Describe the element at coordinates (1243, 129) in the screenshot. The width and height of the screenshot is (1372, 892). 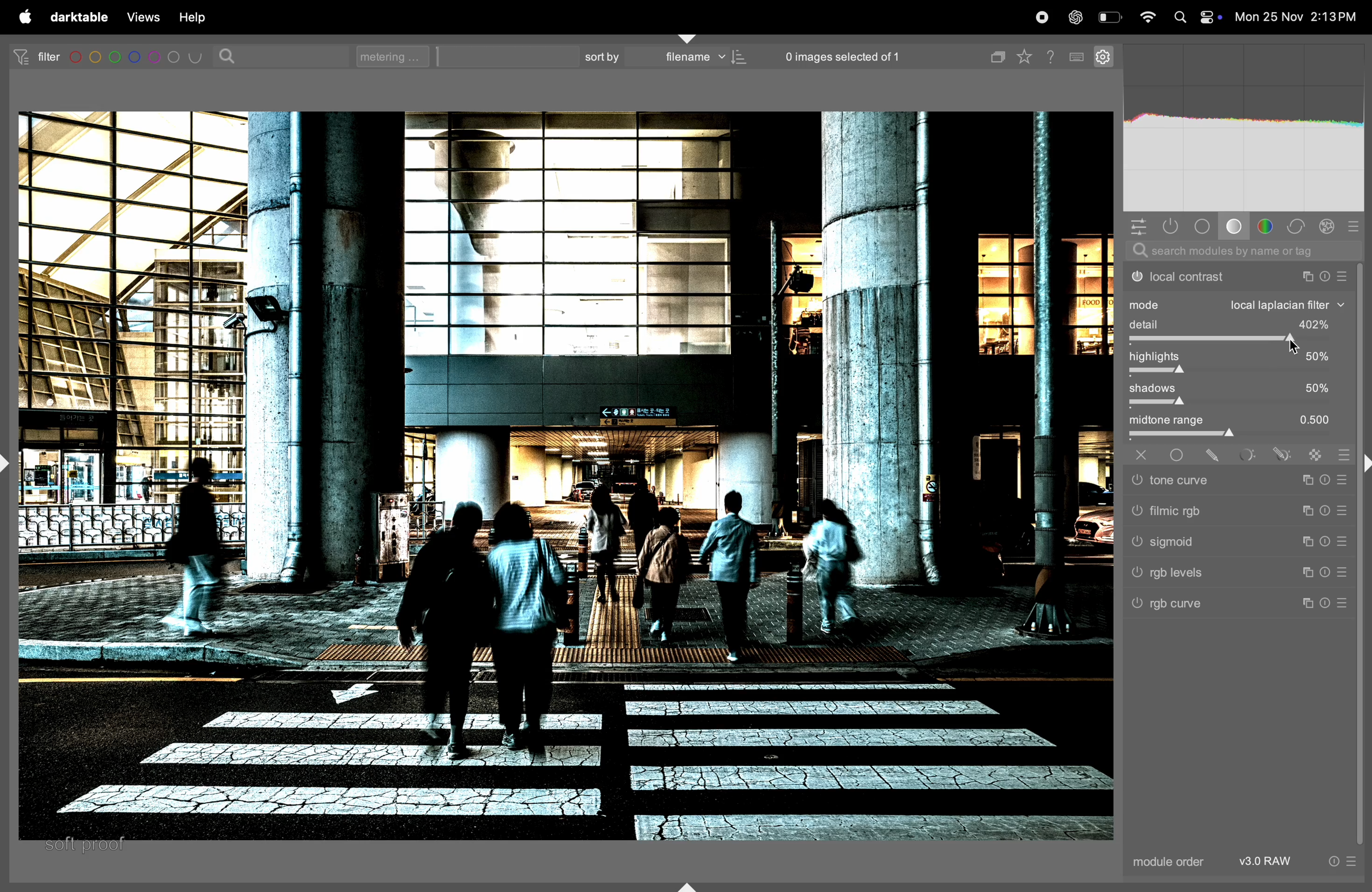
I see `histogram` at that location.